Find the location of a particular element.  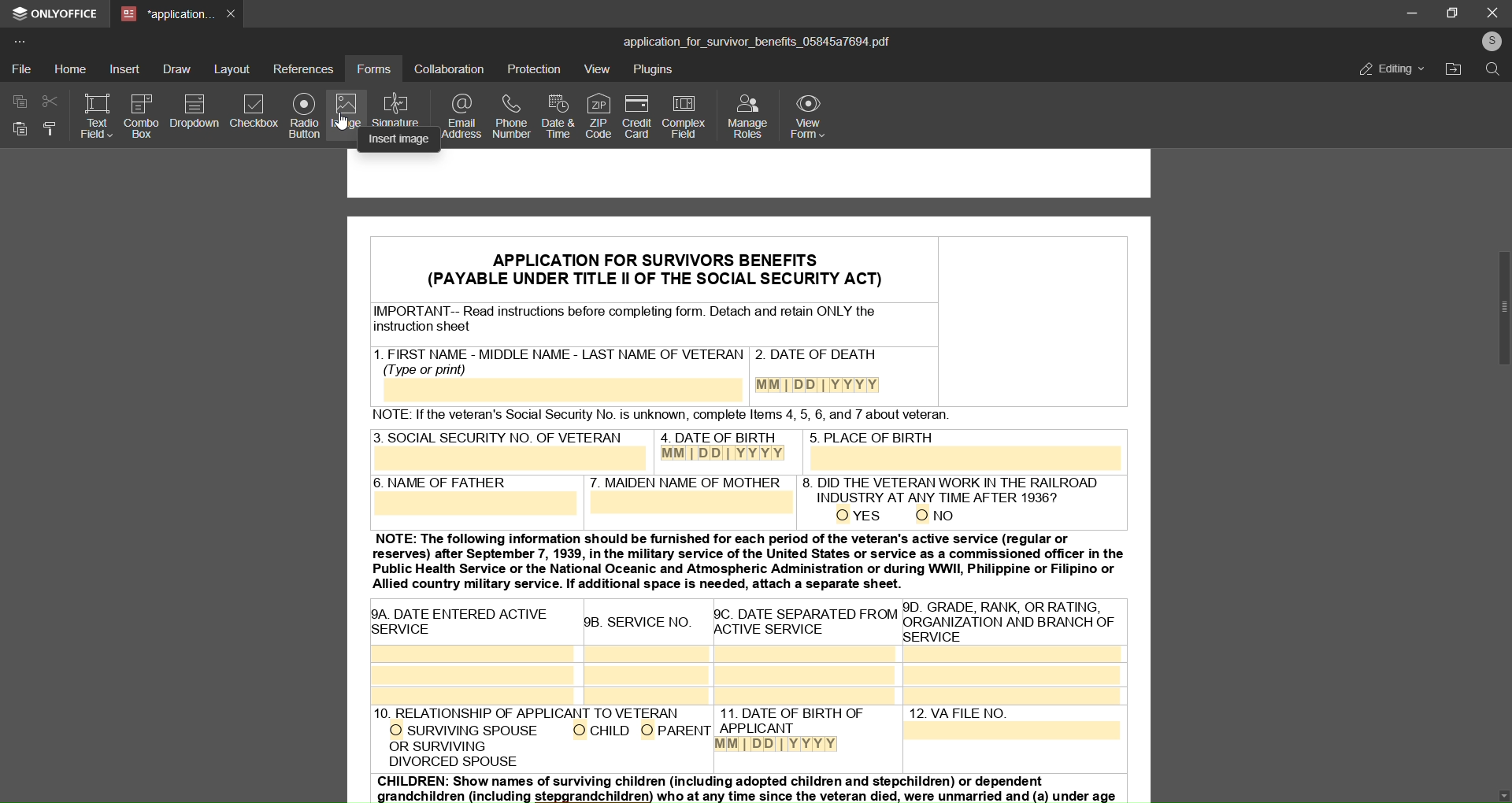

image is located at coordinates (345, 113).